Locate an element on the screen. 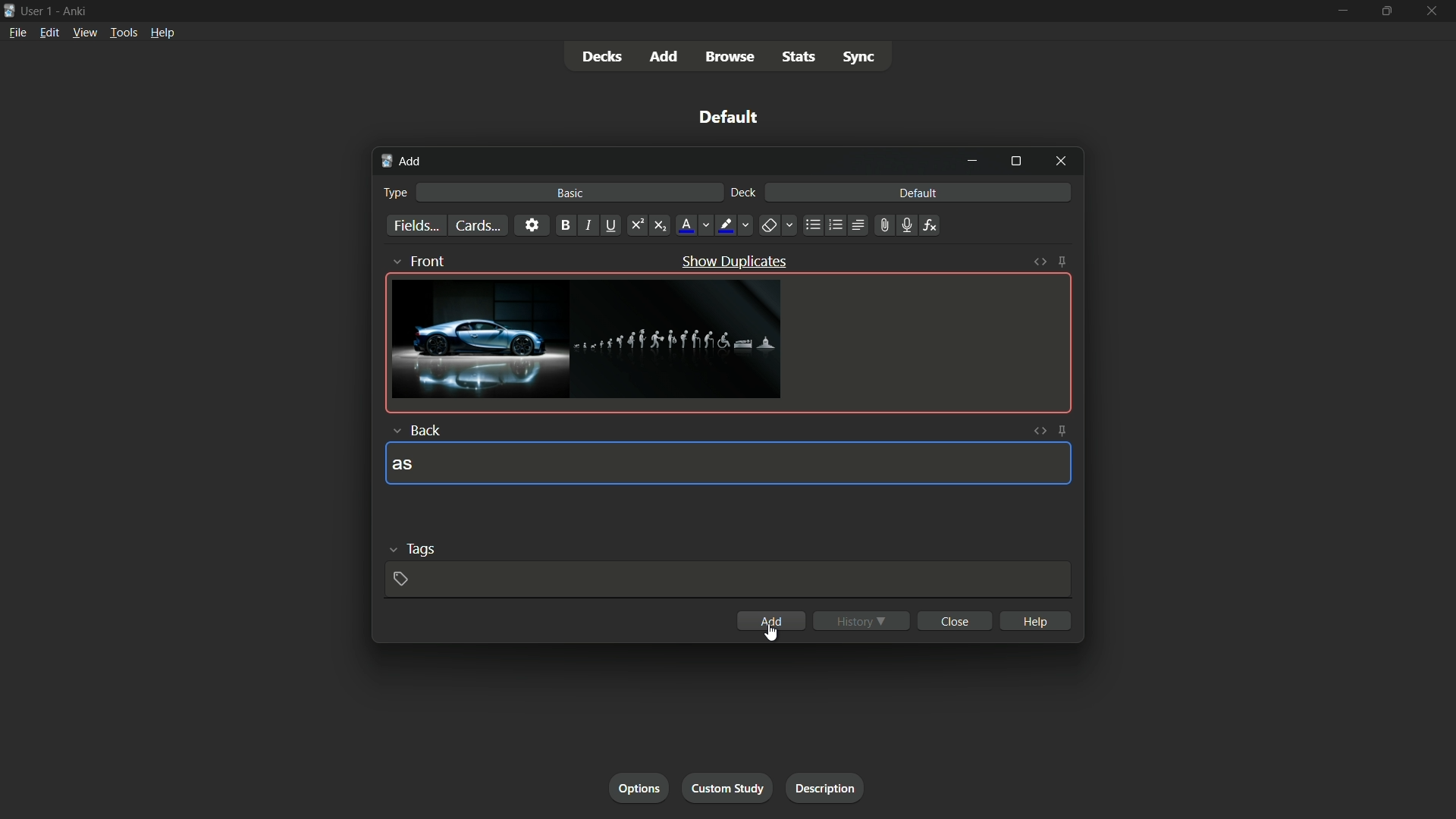 The image size is (1456, 819). close window is located at coordinates (1062, 162).